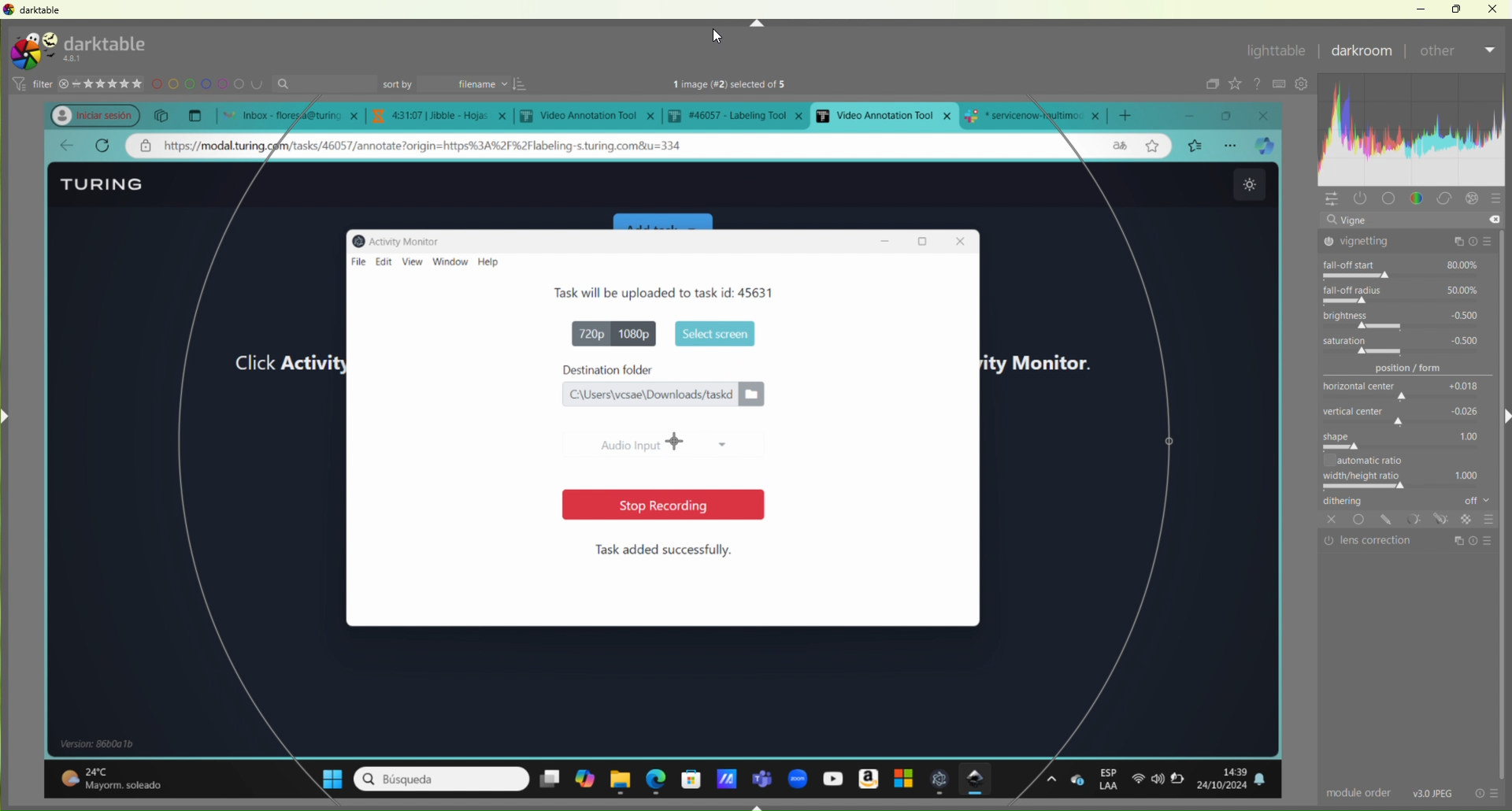 Image resolution: width=1512 pixels, height=811 pixels. Describe the element at coordinates (1195, 145) in the screenshot. I see `bookmarks` at that location.